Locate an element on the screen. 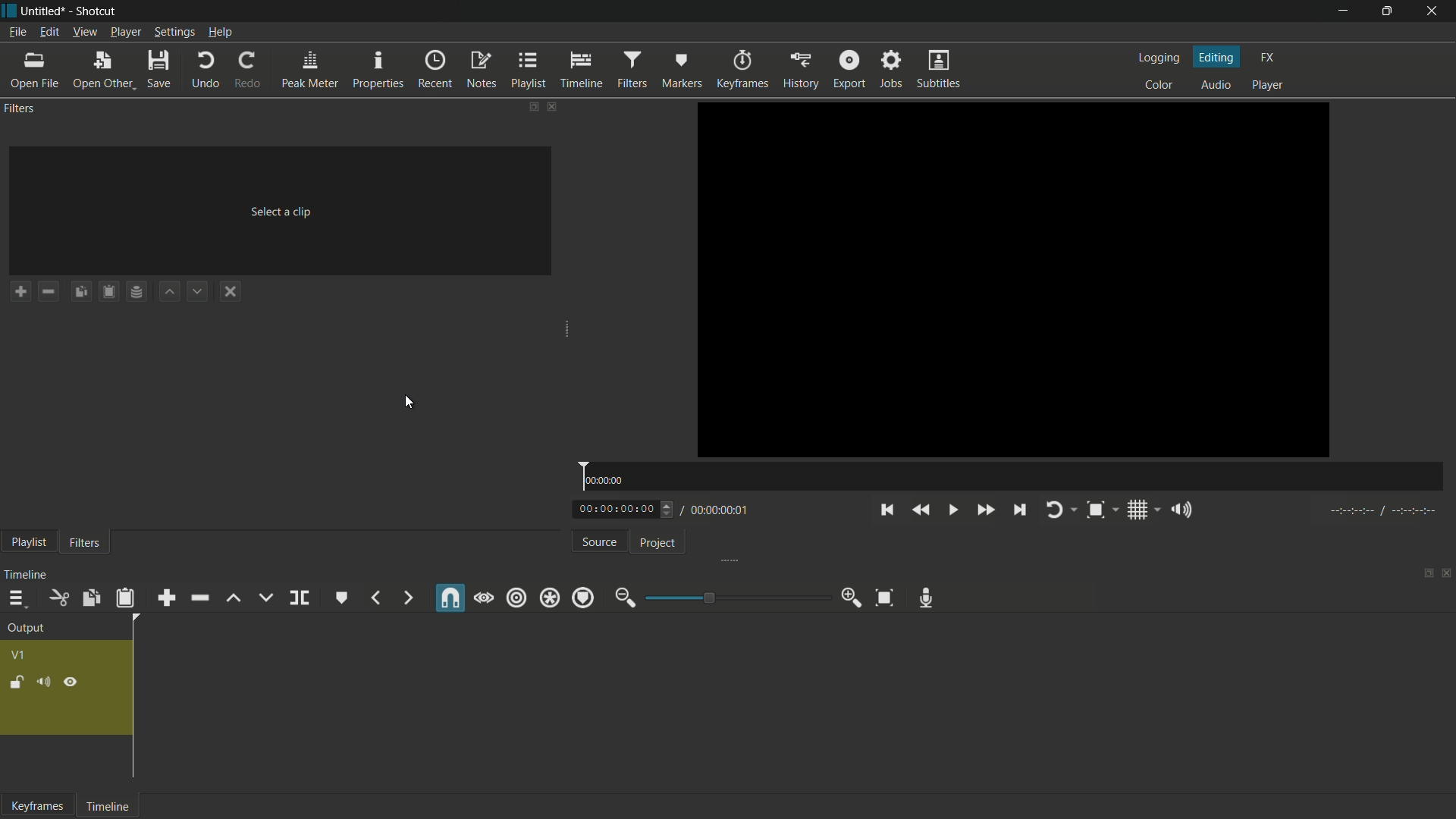 This screenshot has width=1456, height=819. save filter set is located at coordinates (137, 290).